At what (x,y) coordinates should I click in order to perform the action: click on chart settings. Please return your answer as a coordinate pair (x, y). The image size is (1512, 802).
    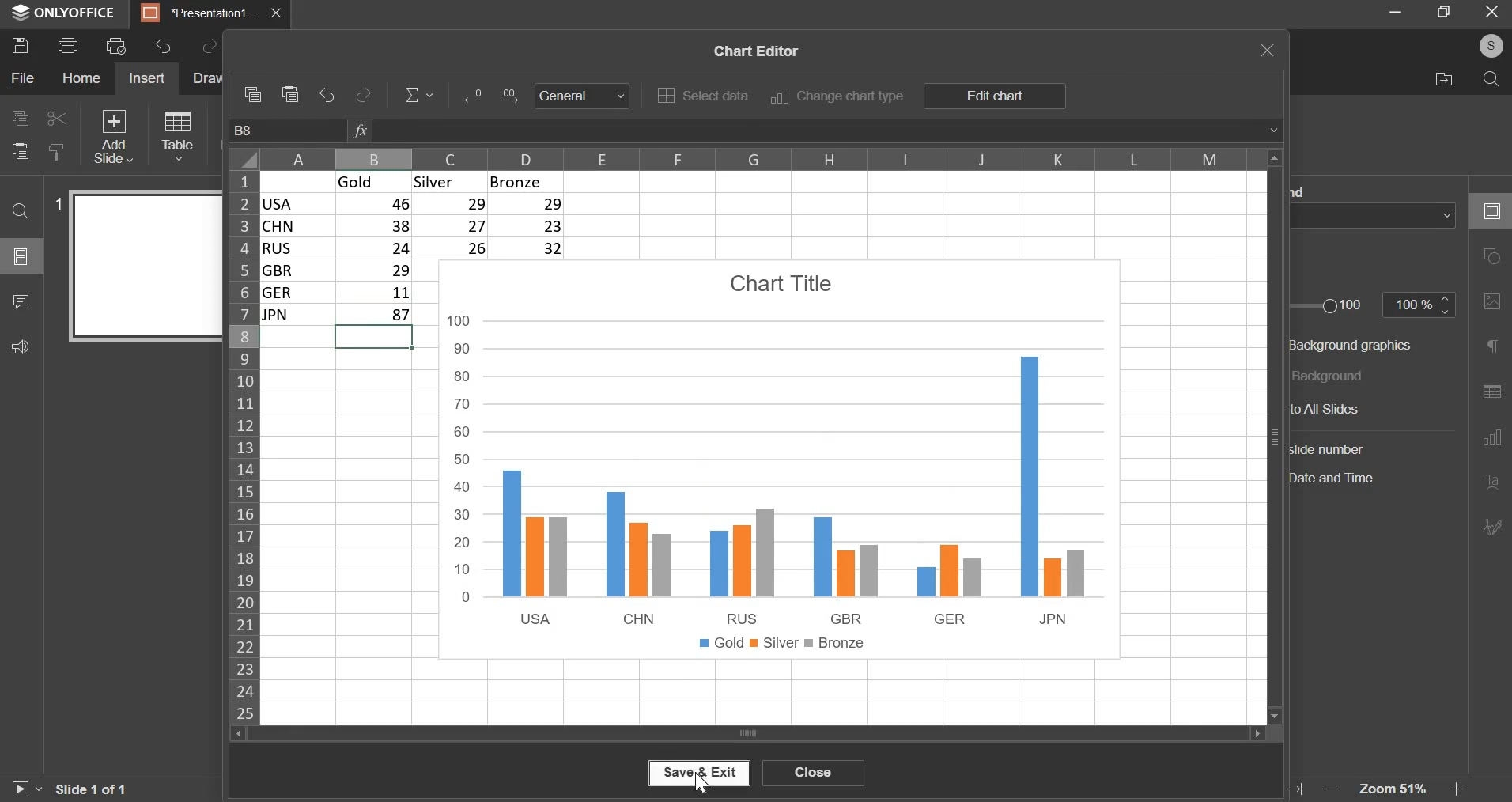
    Looking at the image, I should click on (1491, 442).